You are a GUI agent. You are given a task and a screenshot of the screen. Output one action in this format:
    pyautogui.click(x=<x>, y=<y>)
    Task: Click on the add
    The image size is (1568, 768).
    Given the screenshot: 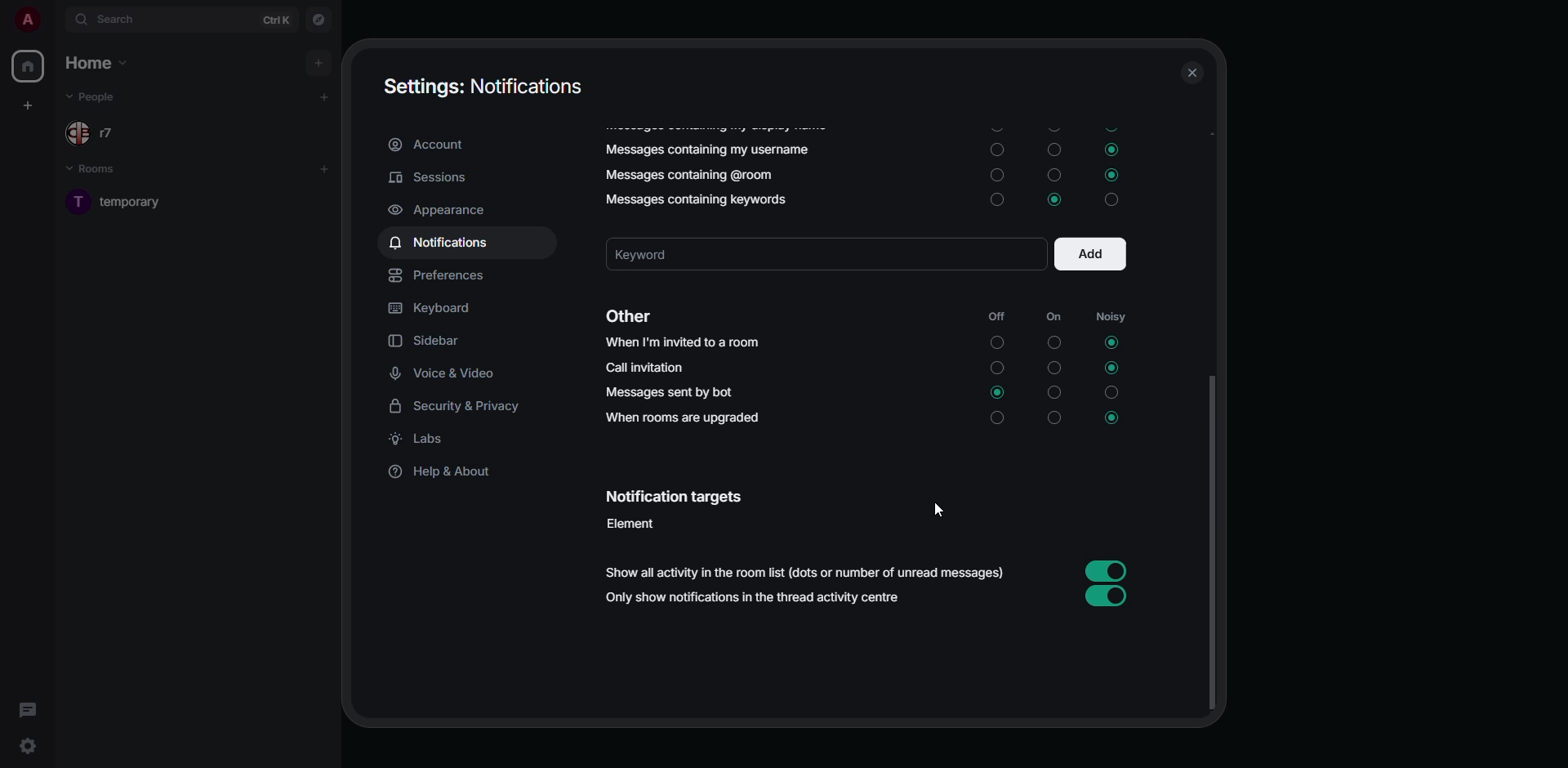 What is the action you would take?
    pyautogui.click(x=325, y=169)
    